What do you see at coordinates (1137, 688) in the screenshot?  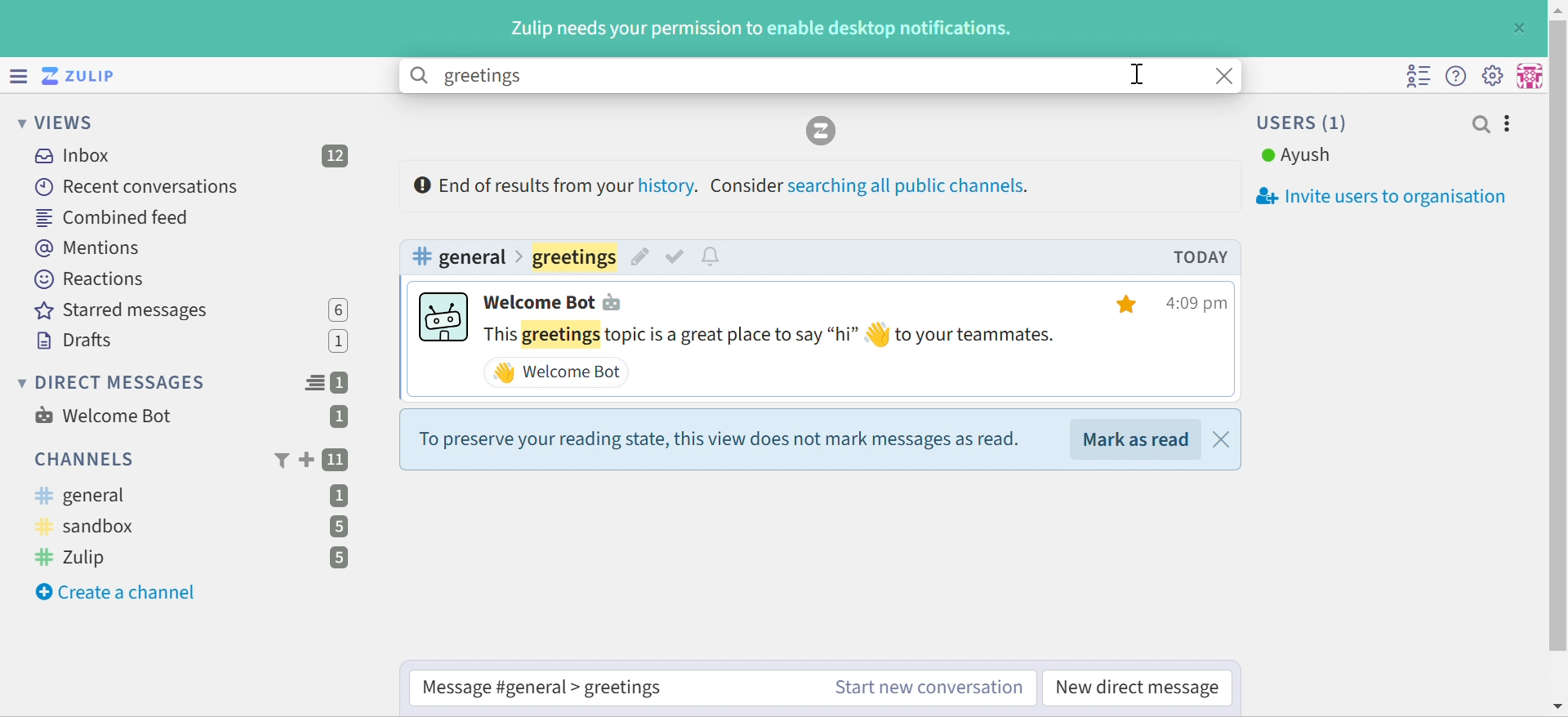 I see `New direct message` at bounding box center [1137, 688].